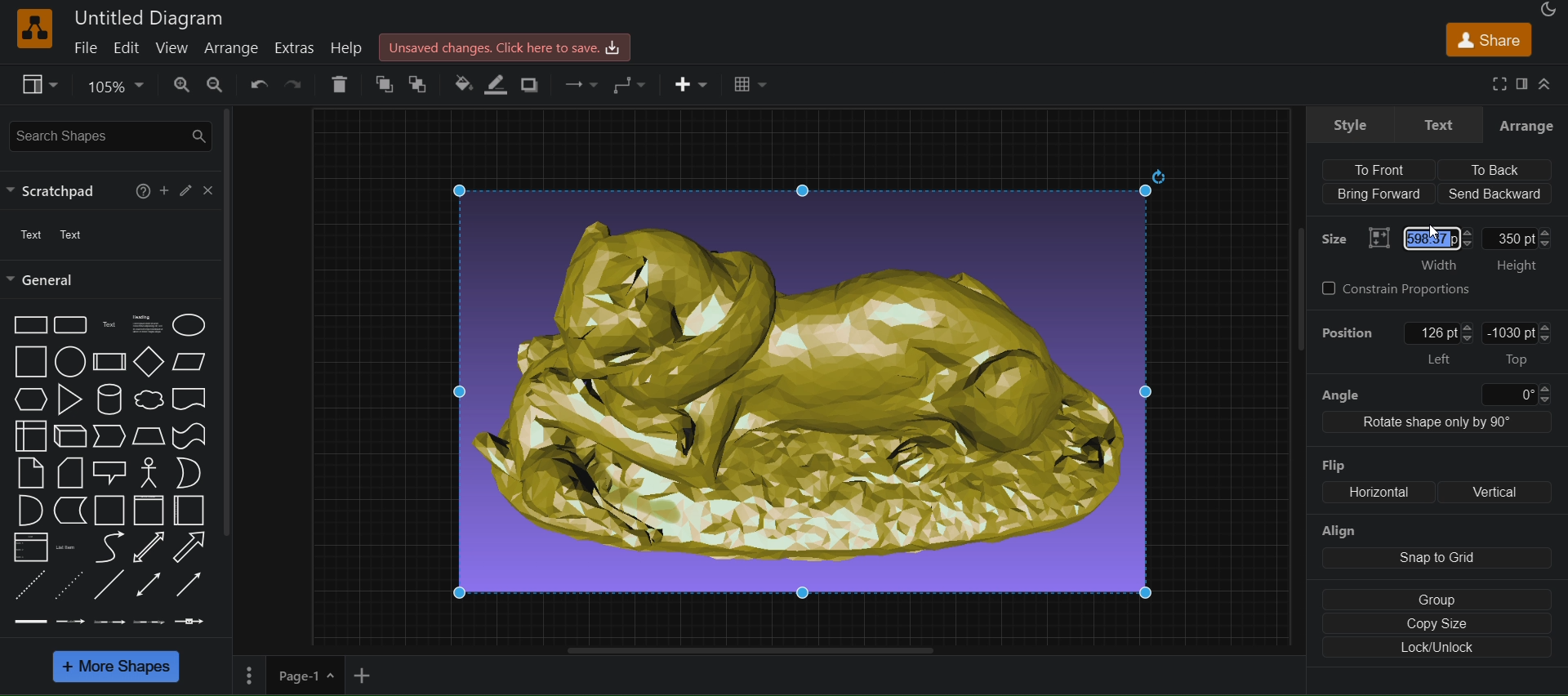 The image size is (1568, 696). Describe the element at coordinates (505, 46) in the screenshot. I see `Unsaved changes.Click here to save.` at that location.